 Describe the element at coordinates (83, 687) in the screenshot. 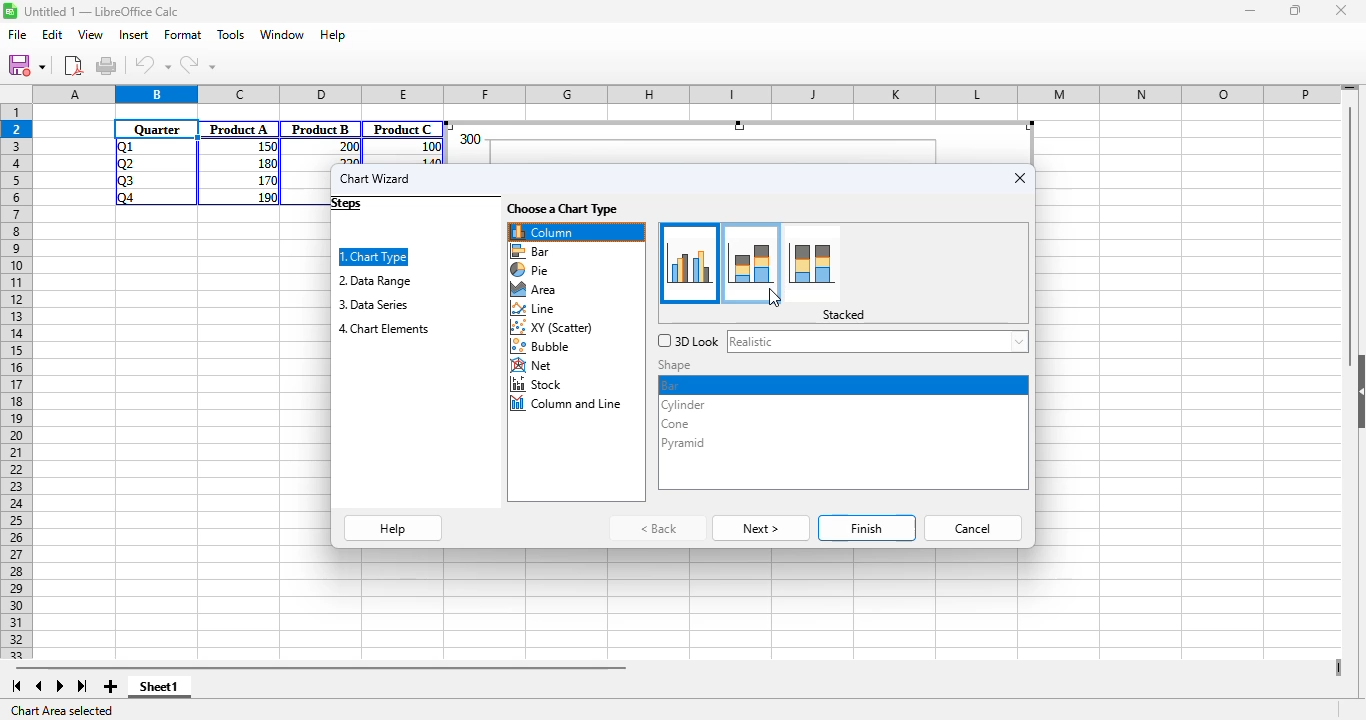

I see `scroll to last sheet` at that location.